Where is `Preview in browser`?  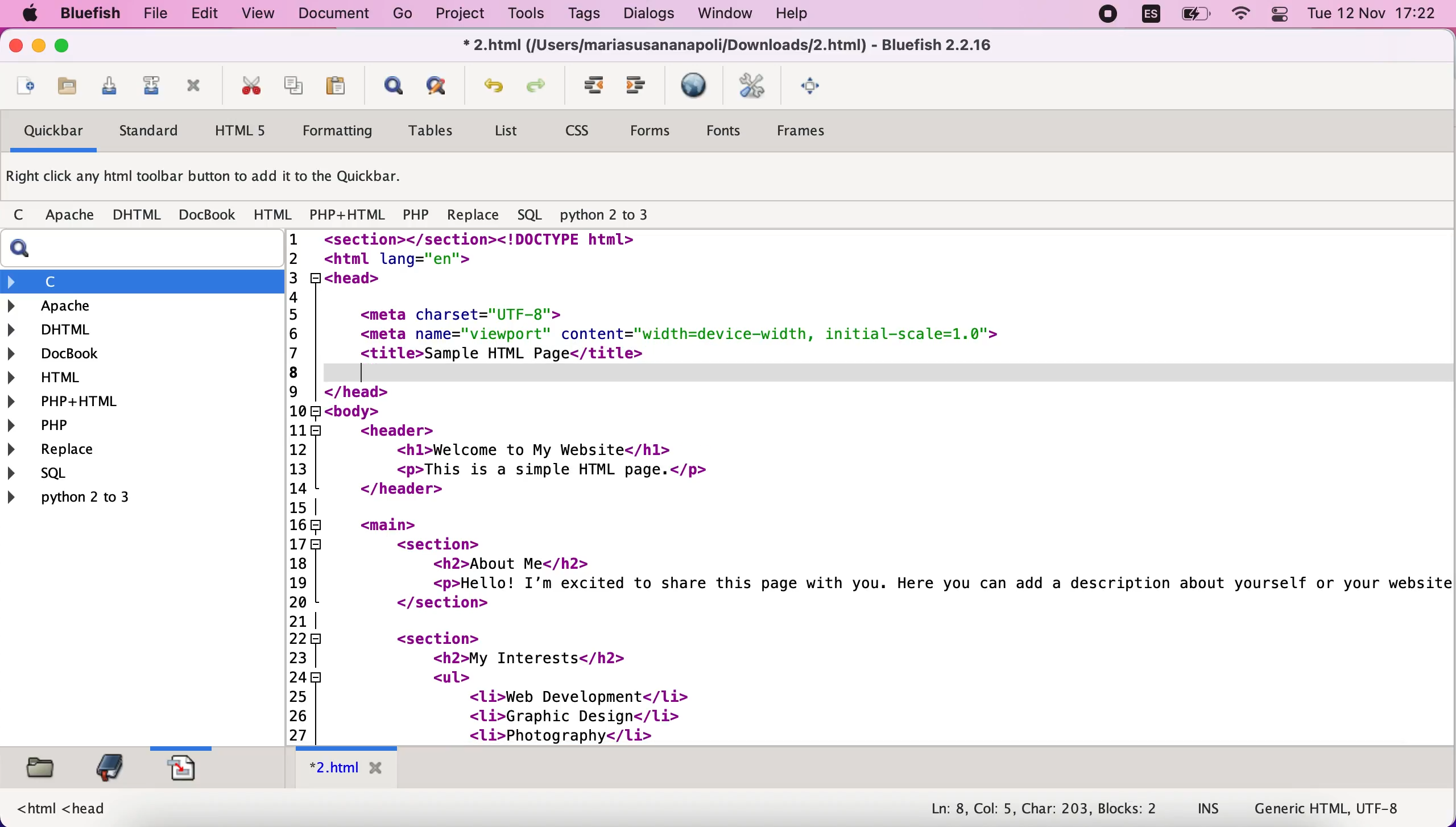
Preview in browser is located at coordinates (698, 86).